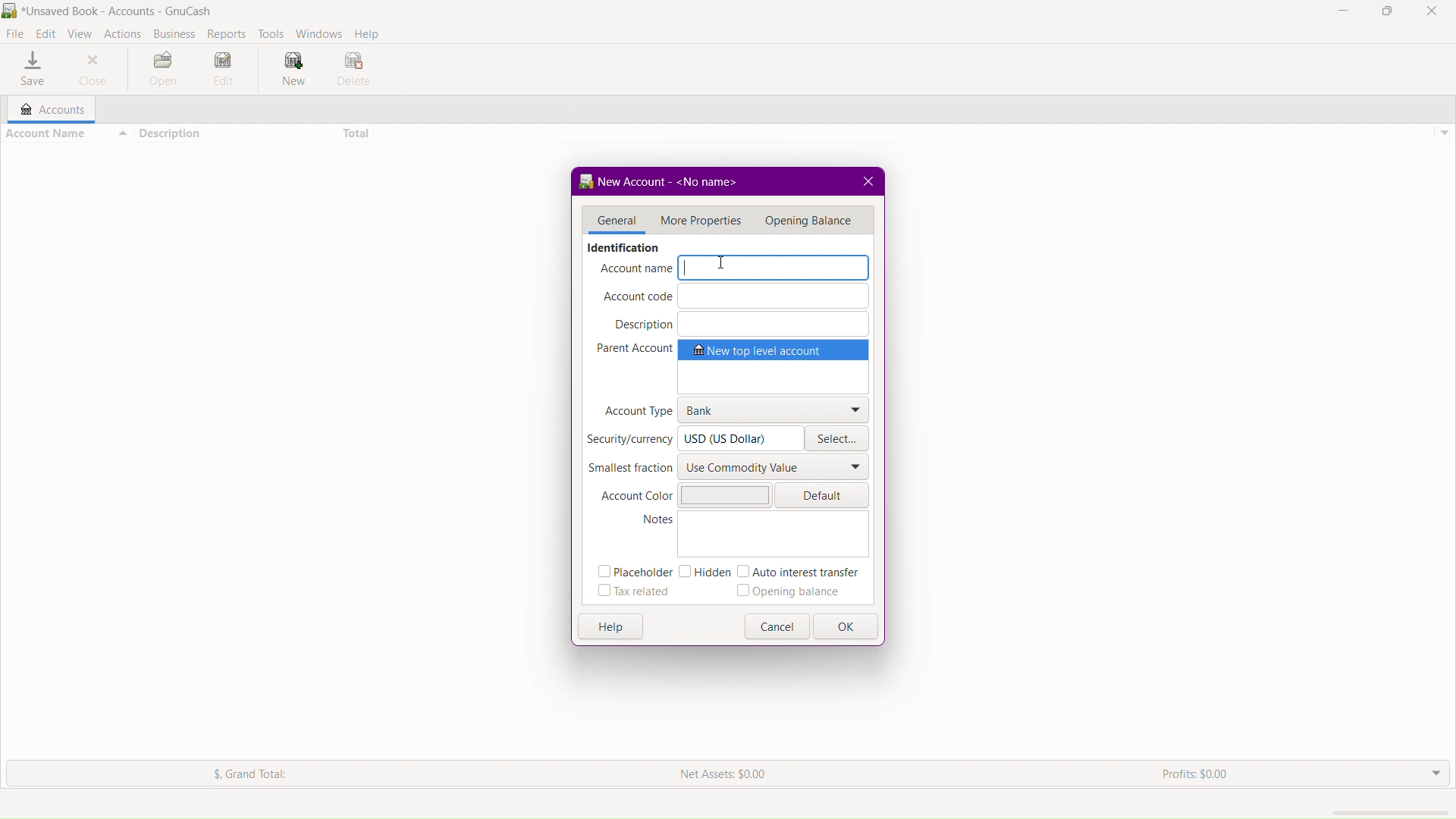 This screenshot has height=819, width=1456. Describe the element at coordinates (612, 221) in the screenshot. I see `General` at that location.